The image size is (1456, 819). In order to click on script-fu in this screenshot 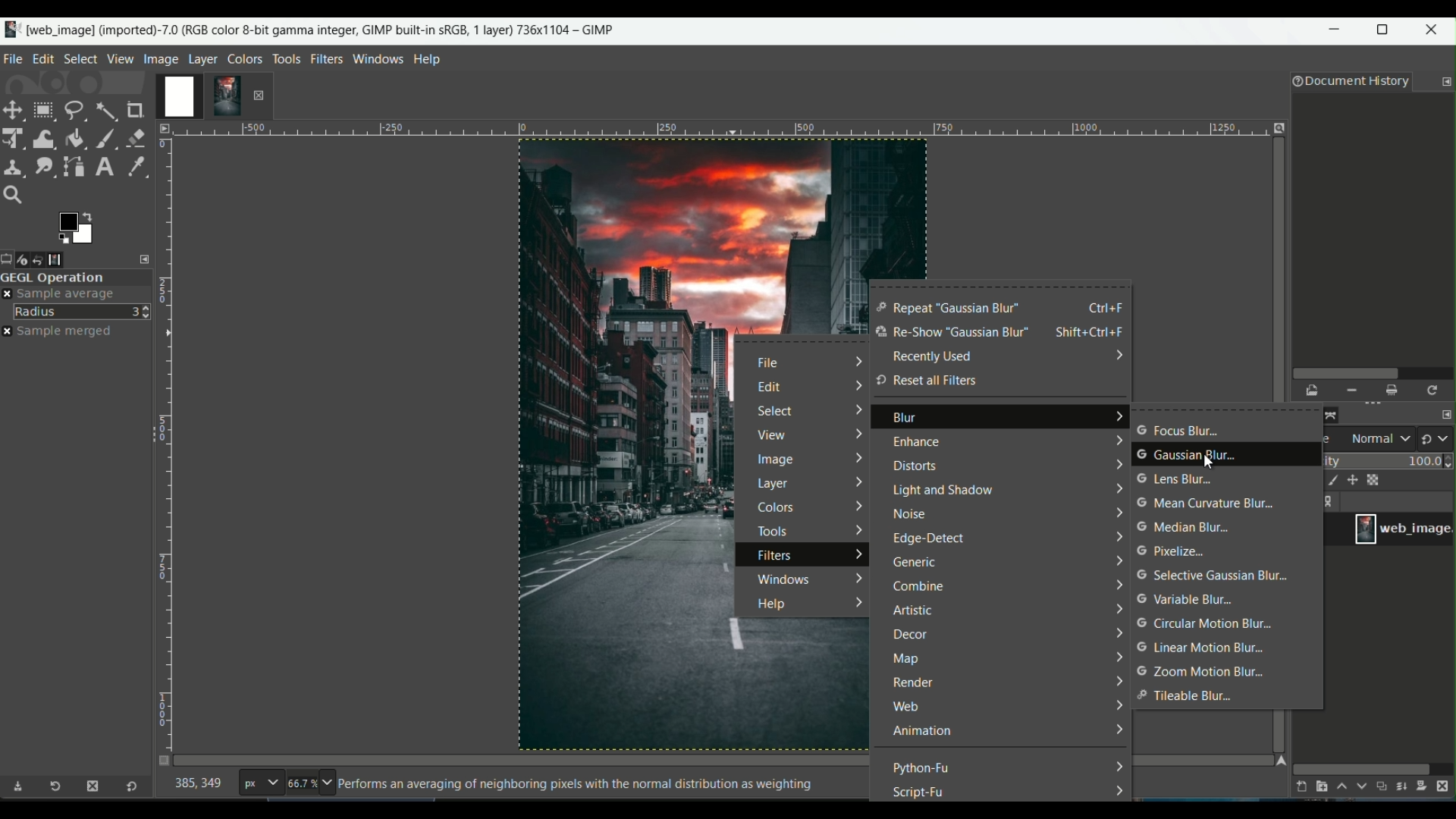, I will do `click(920, 792)`.